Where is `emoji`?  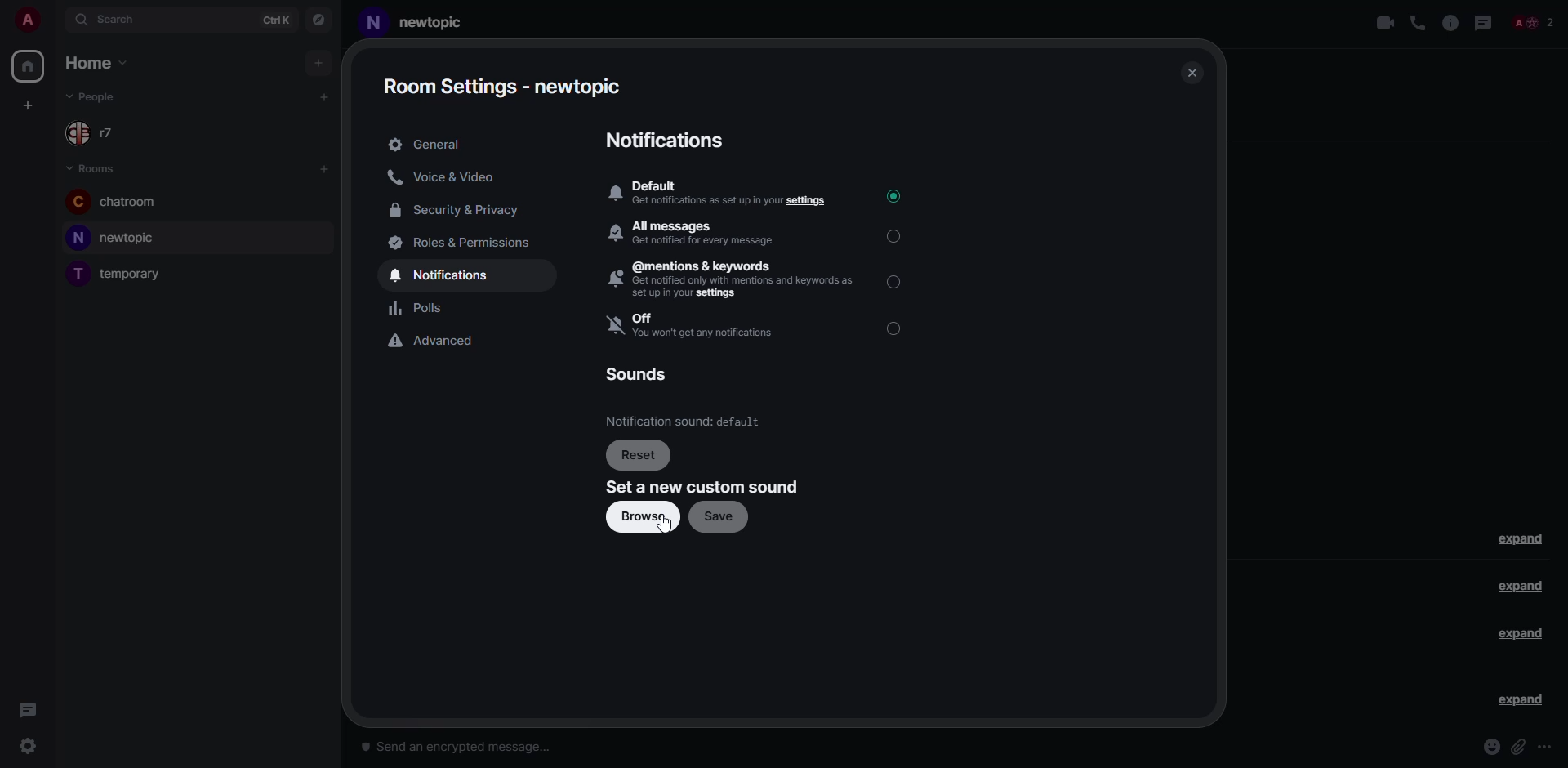
emoji is located at coordinates (1491, 747).